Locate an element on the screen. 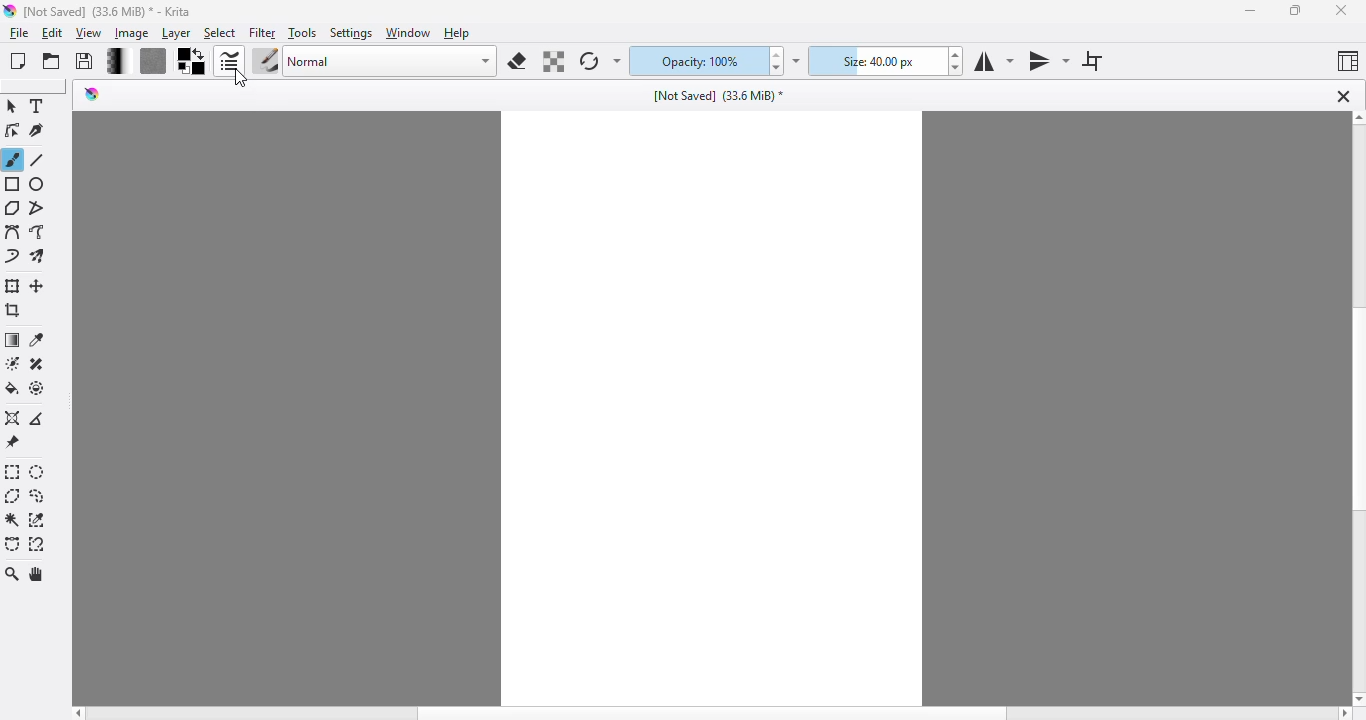 This screenshot has width=1366, height=720. preserve alpha is located at coordinates (555, 61).